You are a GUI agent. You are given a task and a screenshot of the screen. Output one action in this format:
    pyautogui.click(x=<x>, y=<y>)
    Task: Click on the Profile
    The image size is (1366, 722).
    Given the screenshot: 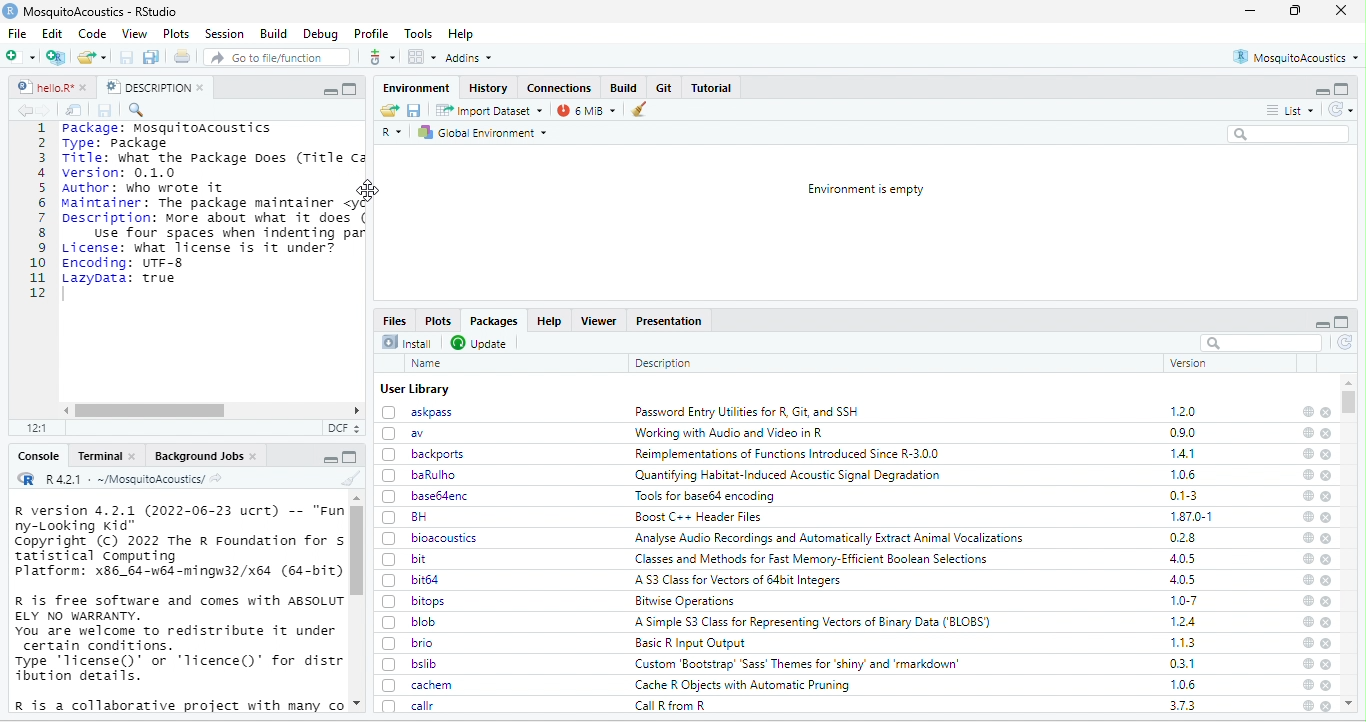 What is the action you would take?
    pyautogui.click(x=372, y=33)
    